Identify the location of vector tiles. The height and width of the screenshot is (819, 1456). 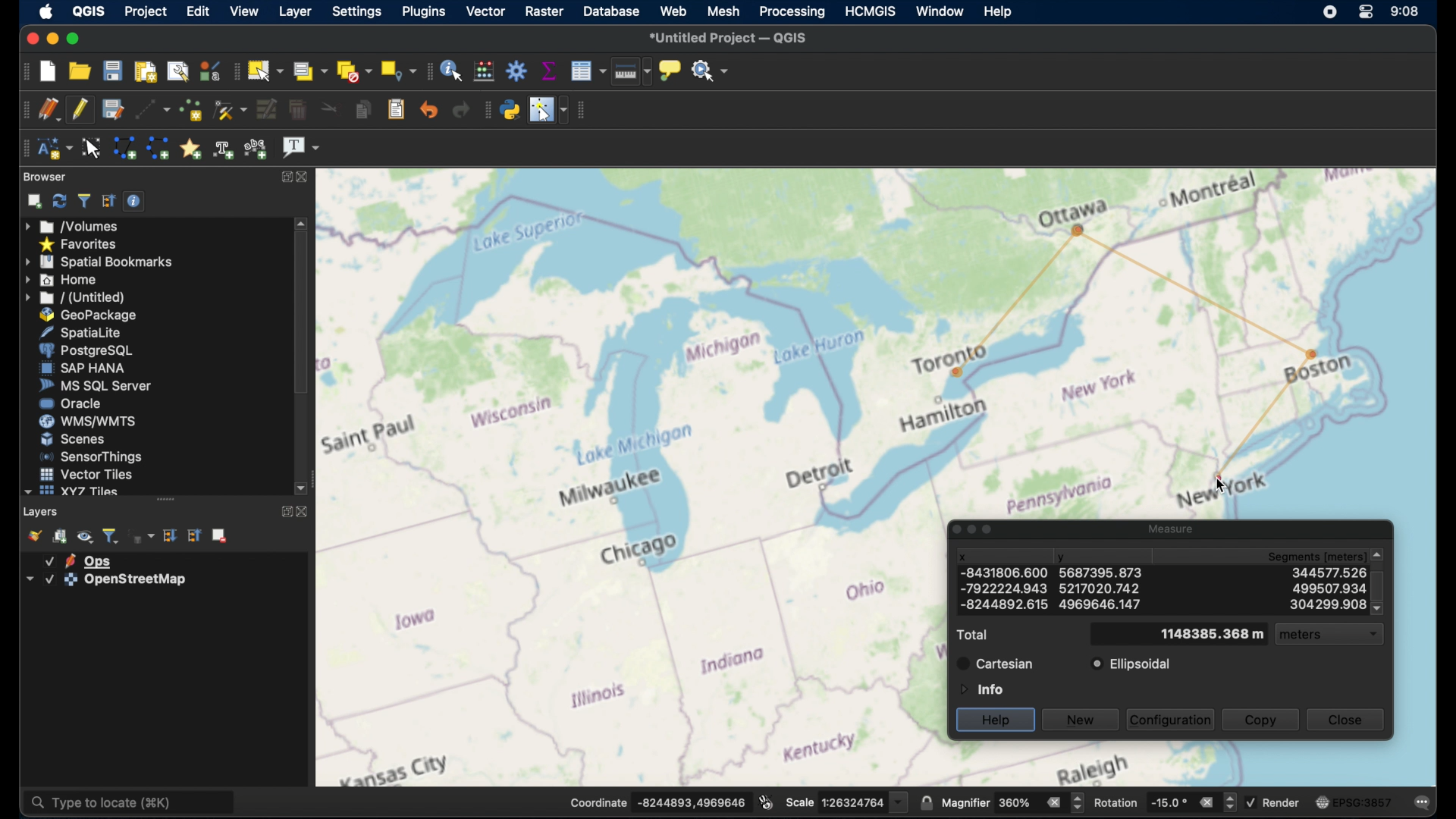
(85, 473).